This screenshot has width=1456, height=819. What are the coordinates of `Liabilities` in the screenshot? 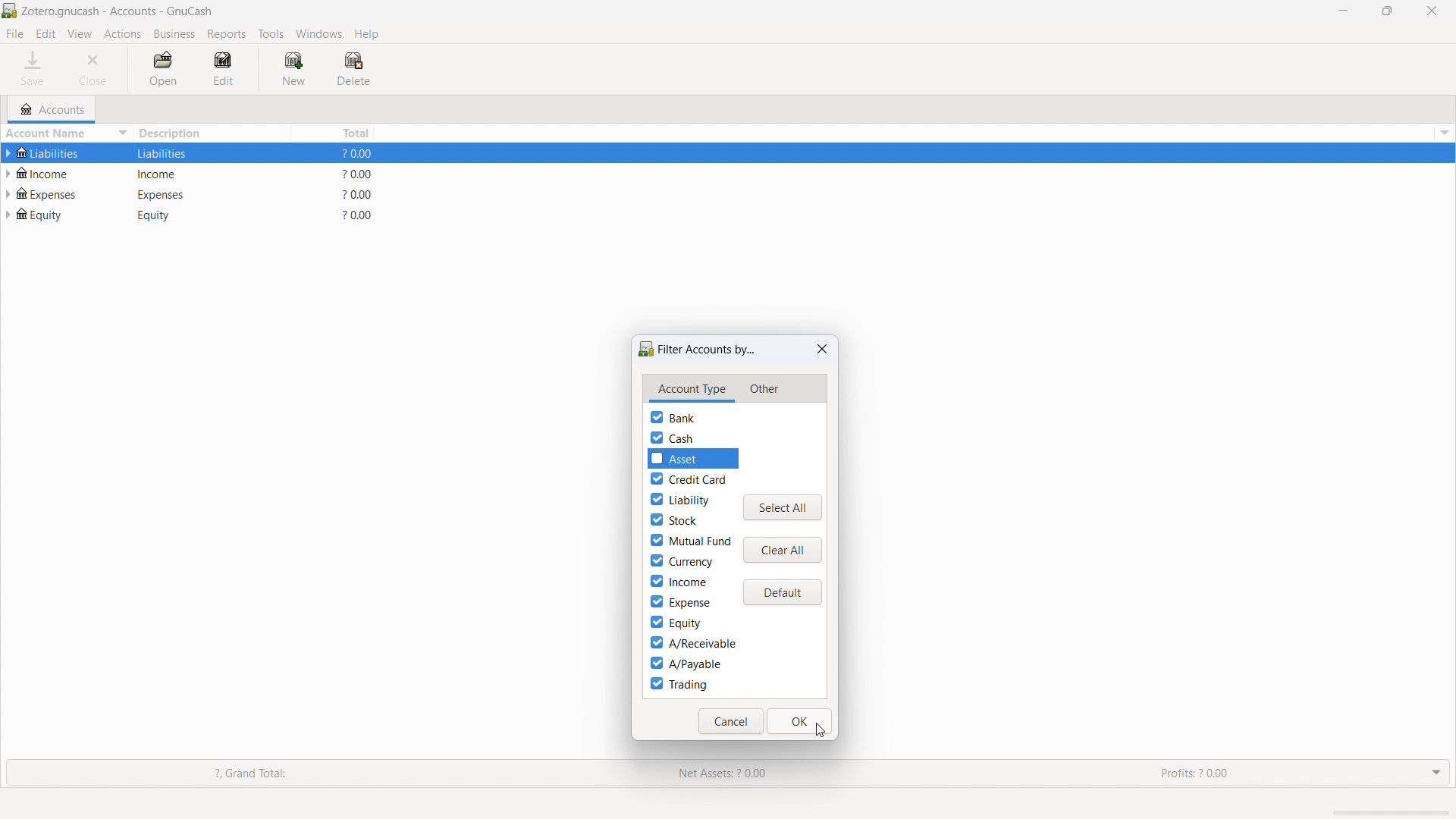 It's located at (59, 153).